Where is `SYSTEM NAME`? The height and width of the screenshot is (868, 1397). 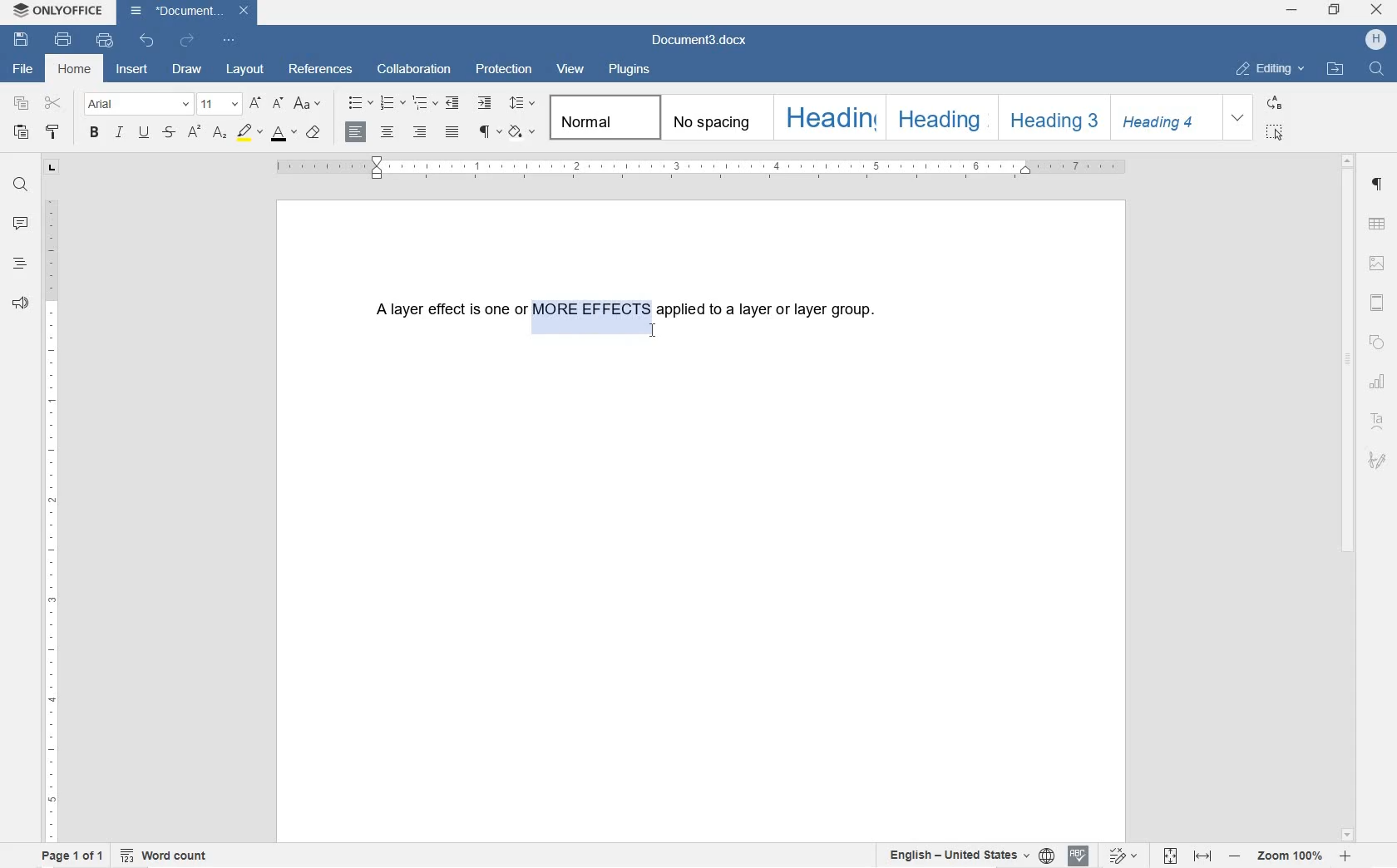
SYSTEM NAME is located at coordinates (58, 8).